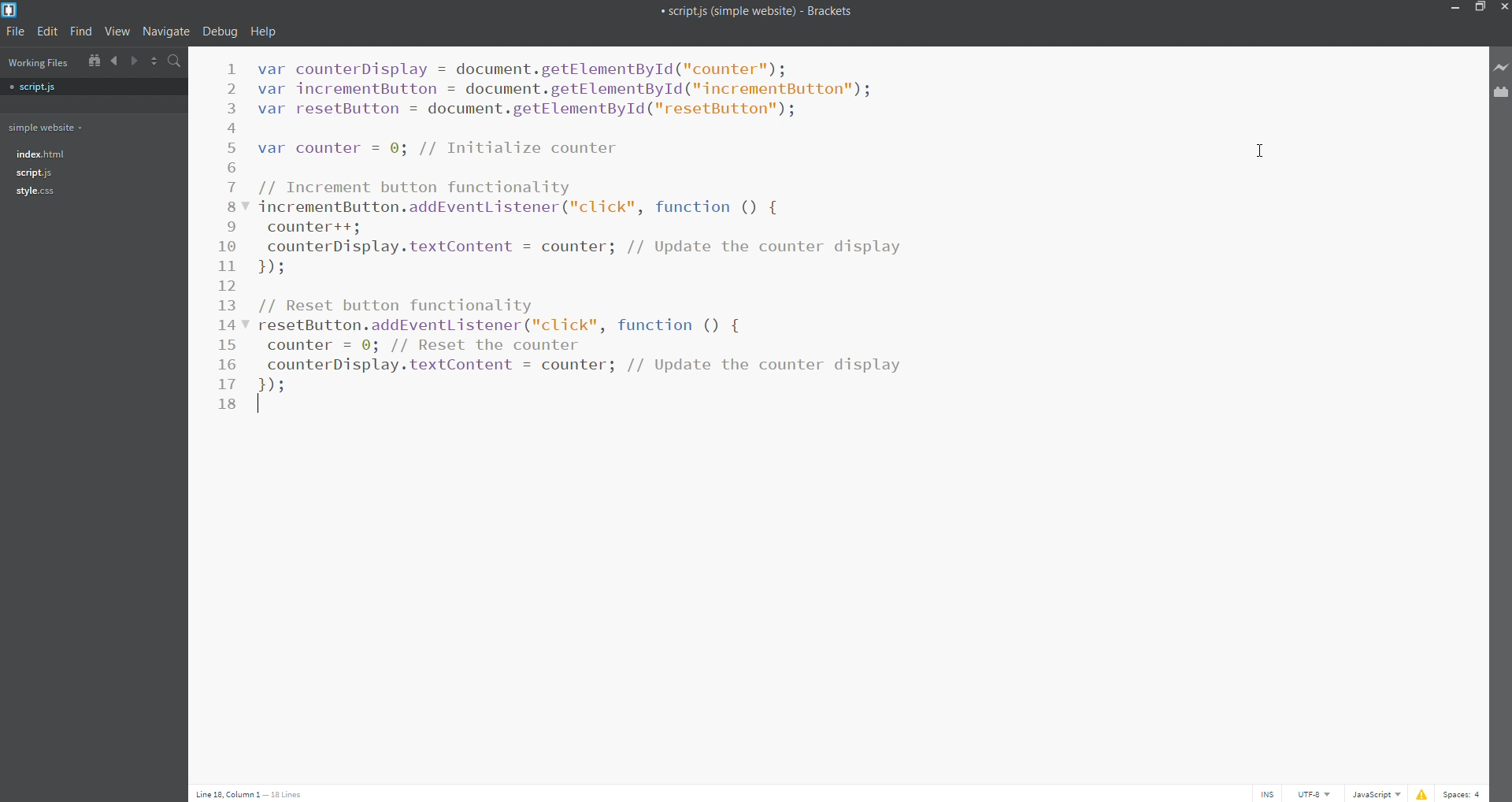 Image resolution: width=1512 pixels, height=802 pixels. I want to click on show errors, so click(1422, 795).